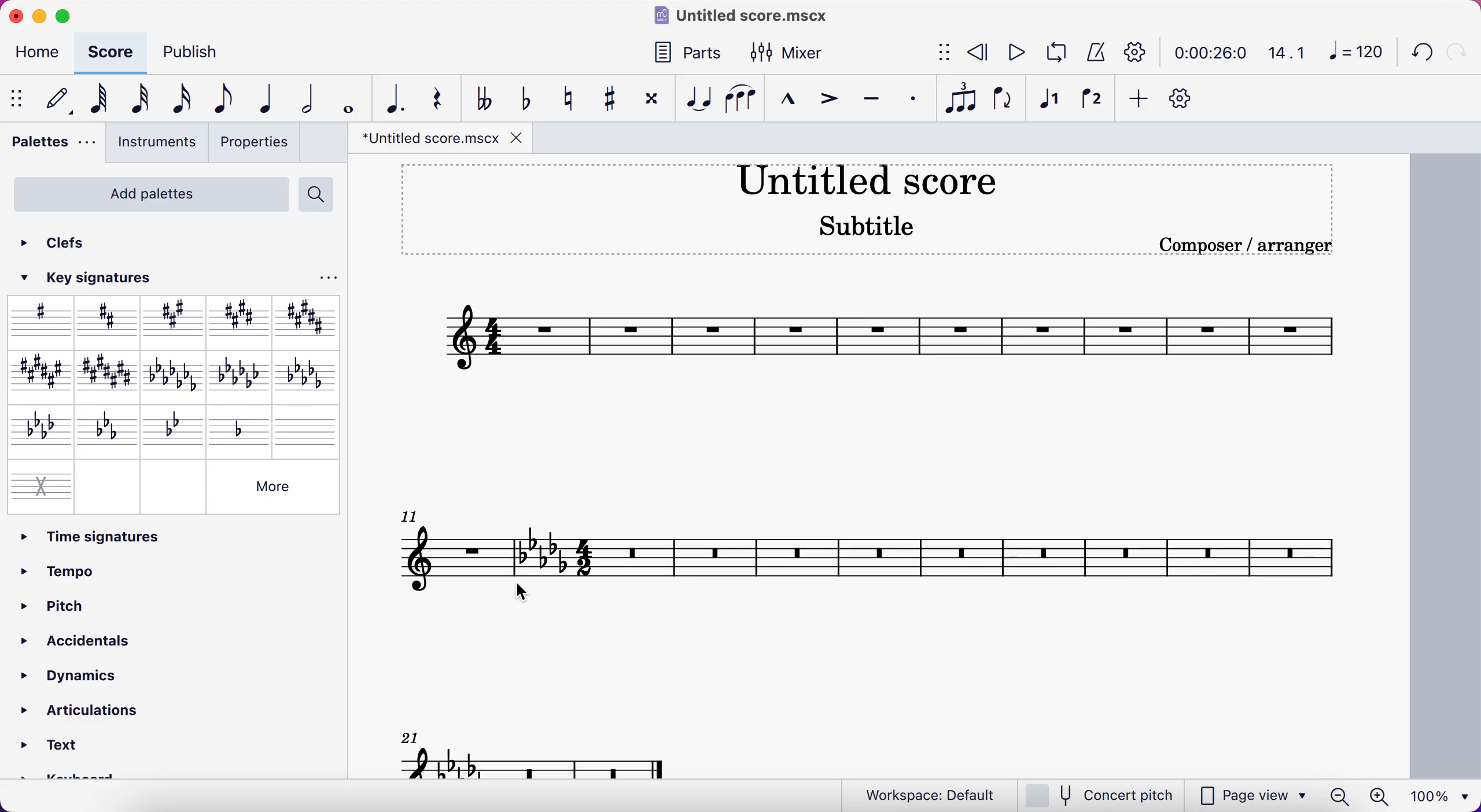 The width and height of the screenshot is (1481, 812). Describe the element at coordinates (182, 100) in the screenshot. I see `16th note` at that location.